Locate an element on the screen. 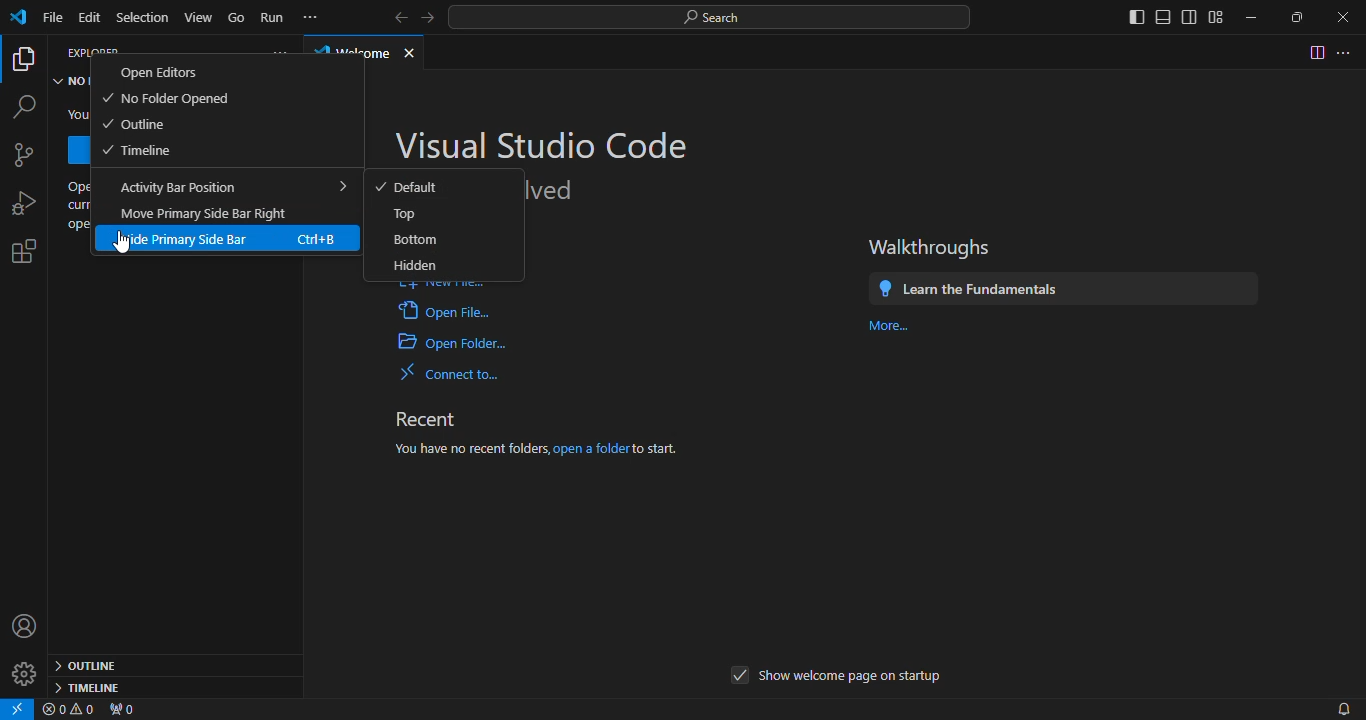 The image size is (1366, 720). close is located at coordinates (1335, 16).